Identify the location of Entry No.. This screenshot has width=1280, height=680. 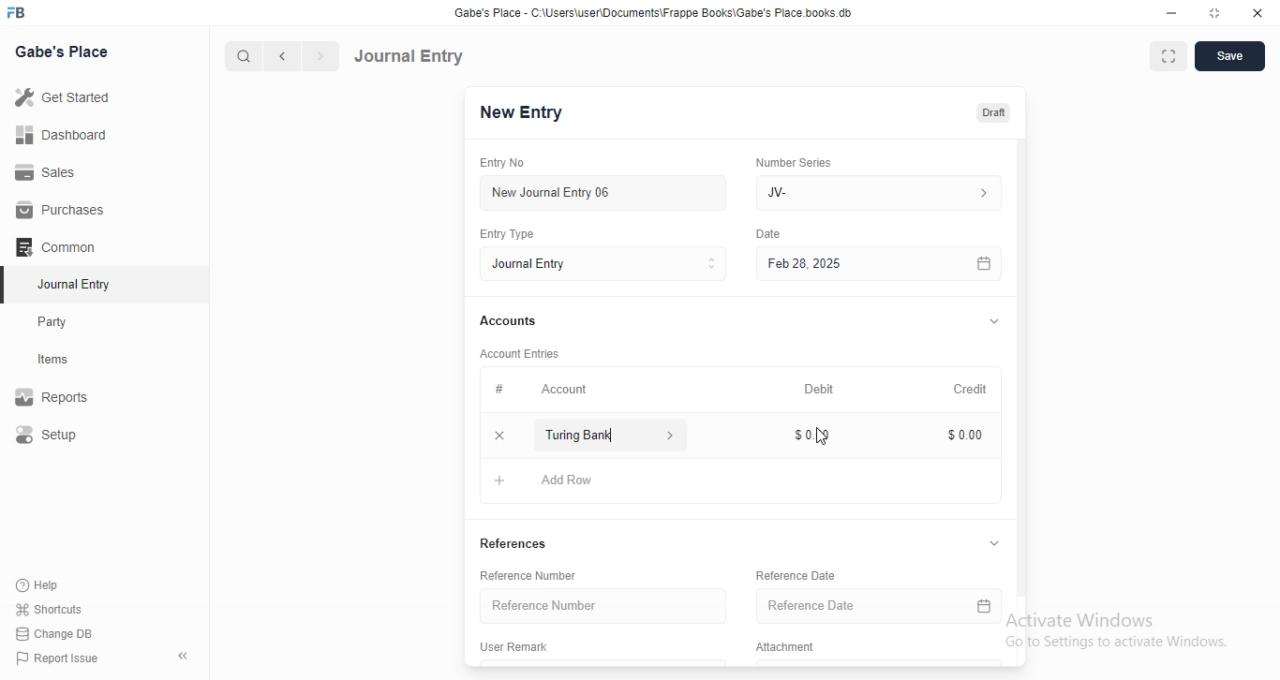
(508, 163).